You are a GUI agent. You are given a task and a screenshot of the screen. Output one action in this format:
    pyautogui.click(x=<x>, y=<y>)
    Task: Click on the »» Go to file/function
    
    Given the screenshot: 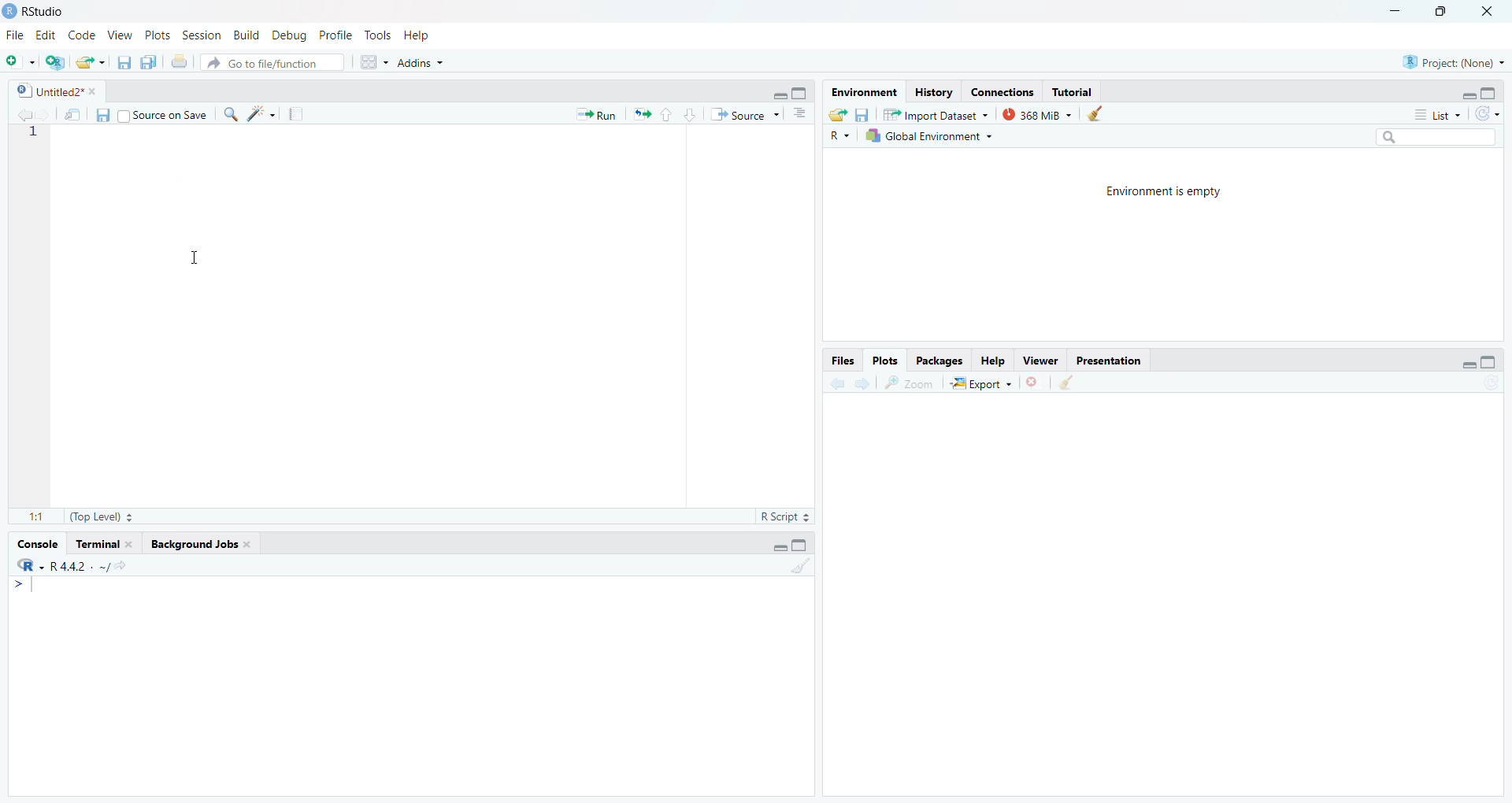 What is the action you would take?
    pyautogui.click(x=277, y=65)
    